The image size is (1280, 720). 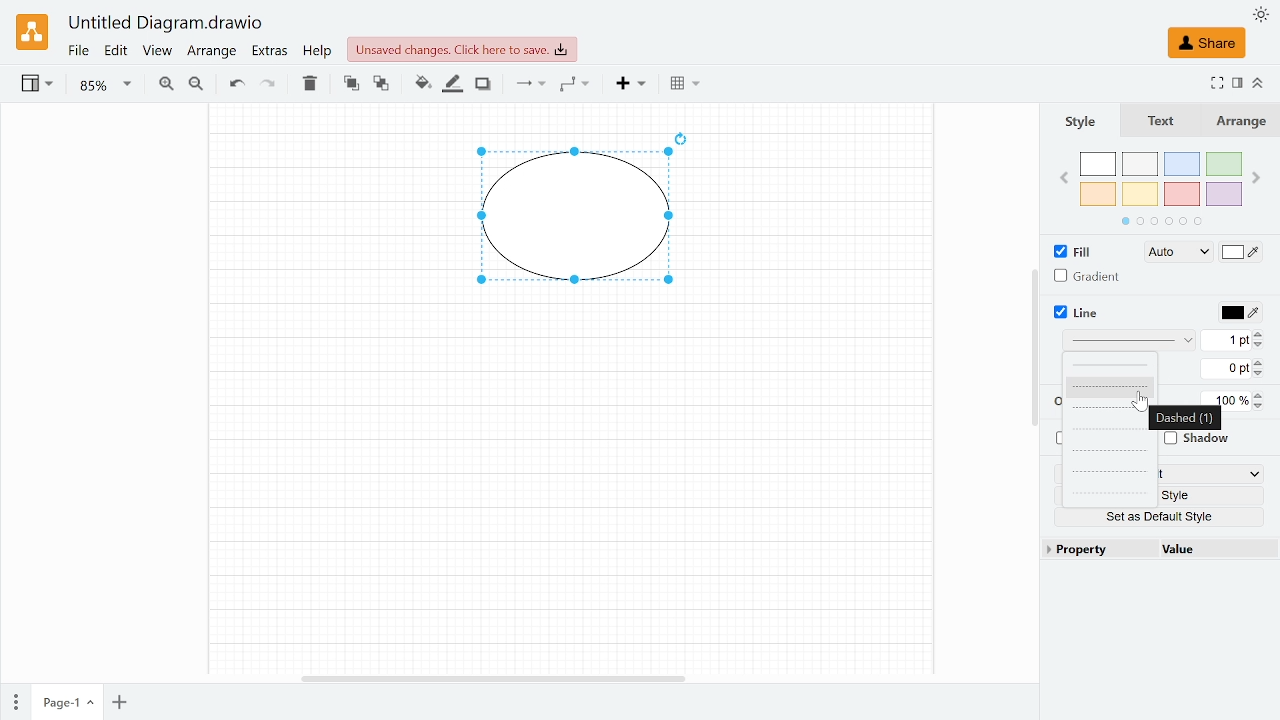 What do you see at coordinates (576, 85) in the screenshot?
I see `Waypoints` at bounding box center [576, 85].